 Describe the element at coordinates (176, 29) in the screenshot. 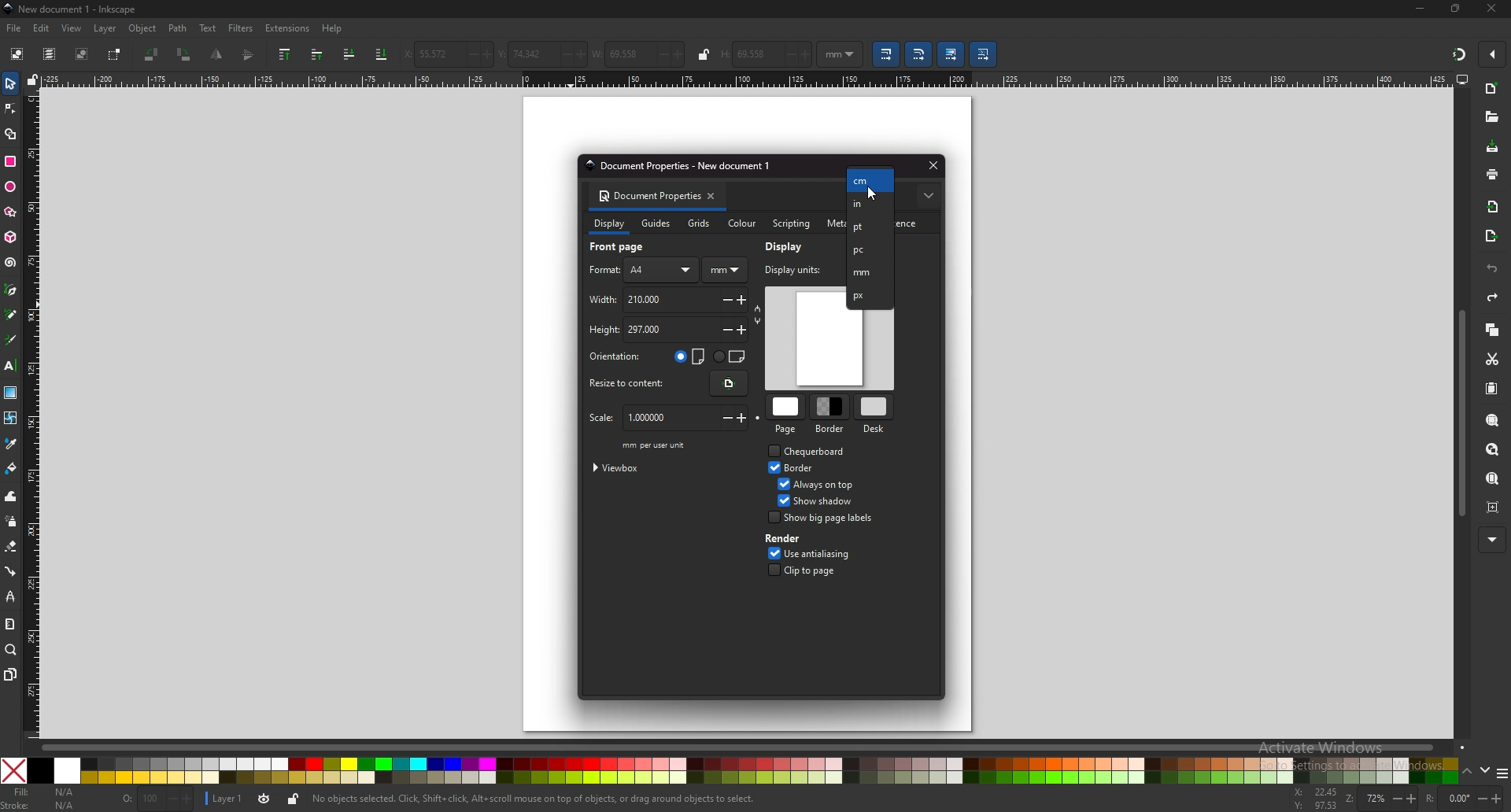

I see `path` at that location.